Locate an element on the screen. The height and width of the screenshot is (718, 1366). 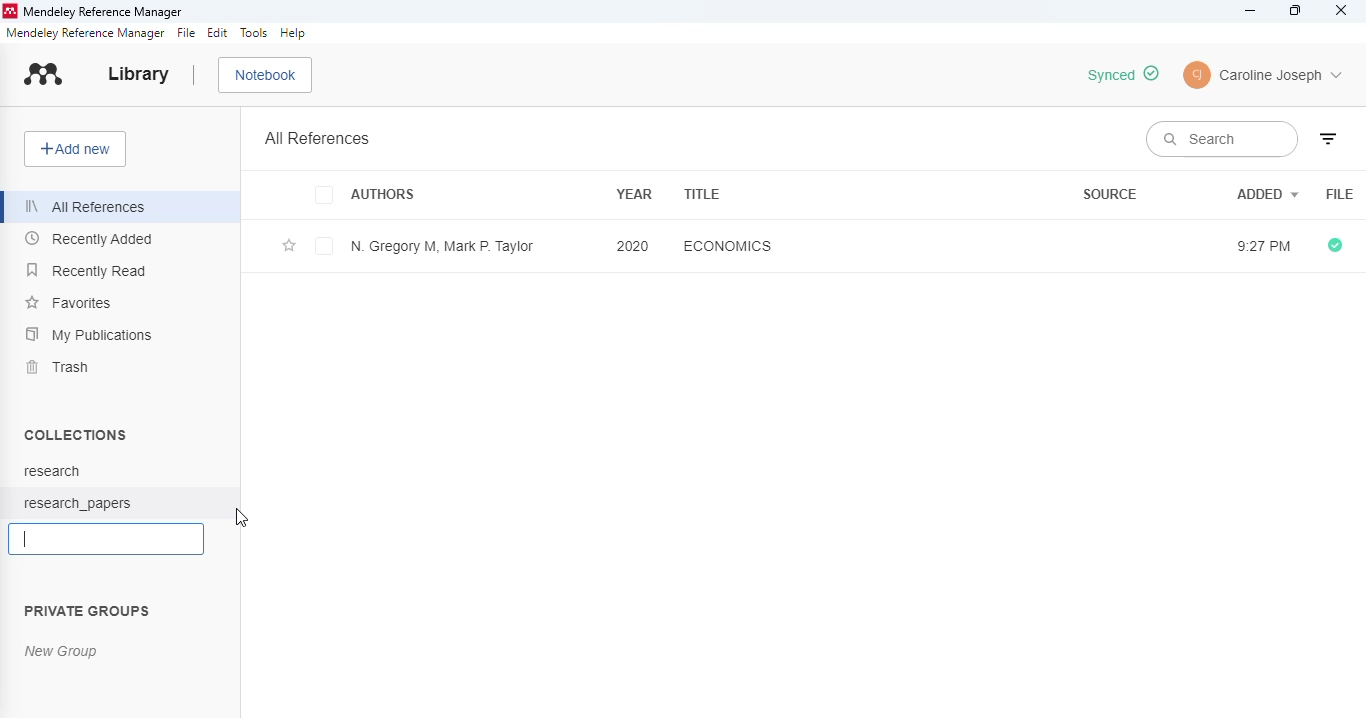
all references is located at coordinates (318, 138).